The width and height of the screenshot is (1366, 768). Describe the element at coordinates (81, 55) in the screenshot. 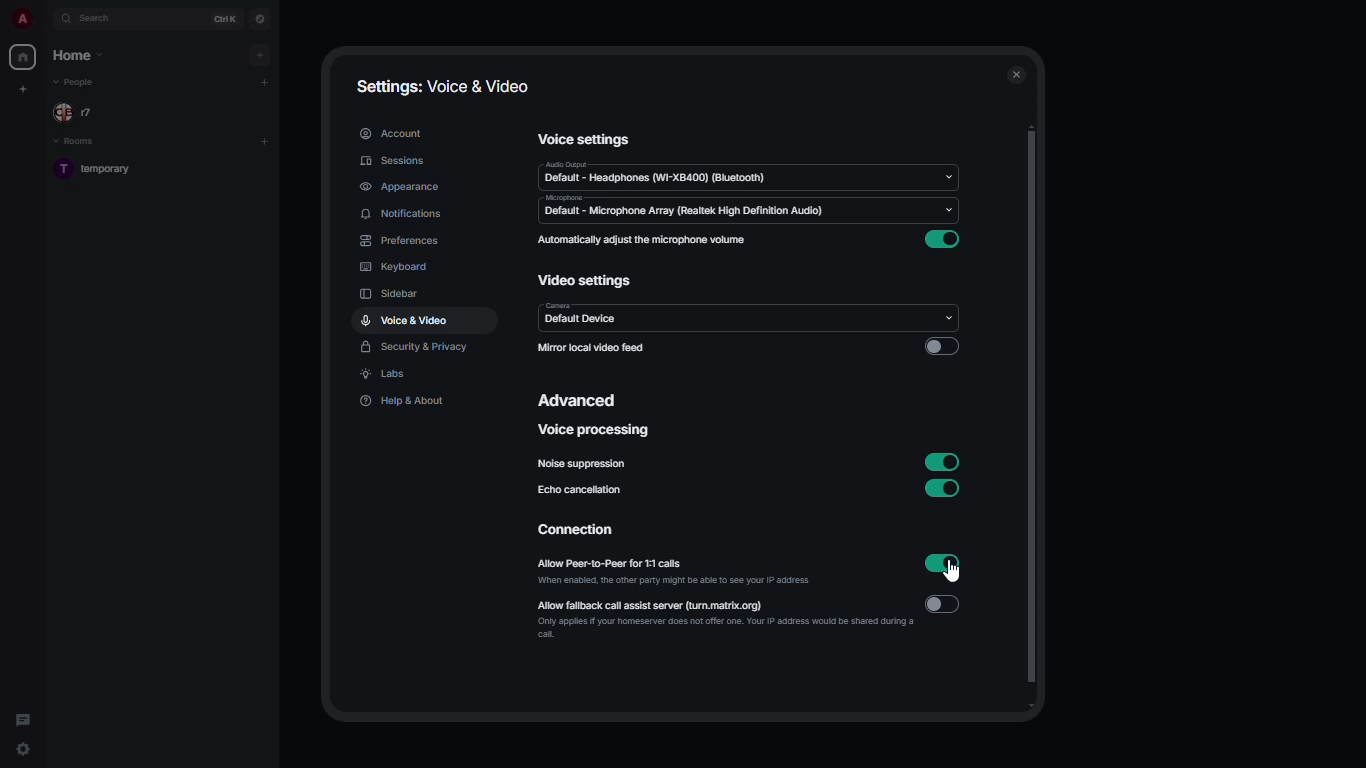

I see `home` at that location.